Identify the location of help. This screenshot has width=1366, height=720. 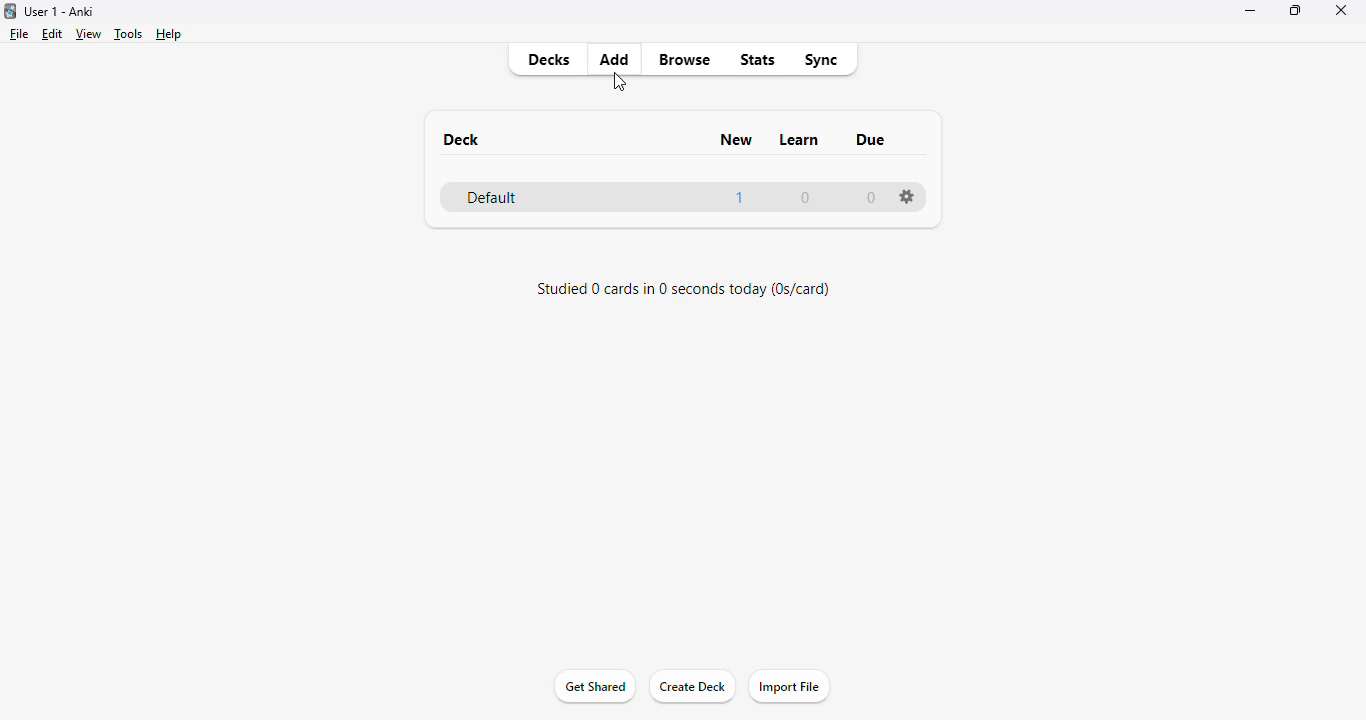
(169, 34).